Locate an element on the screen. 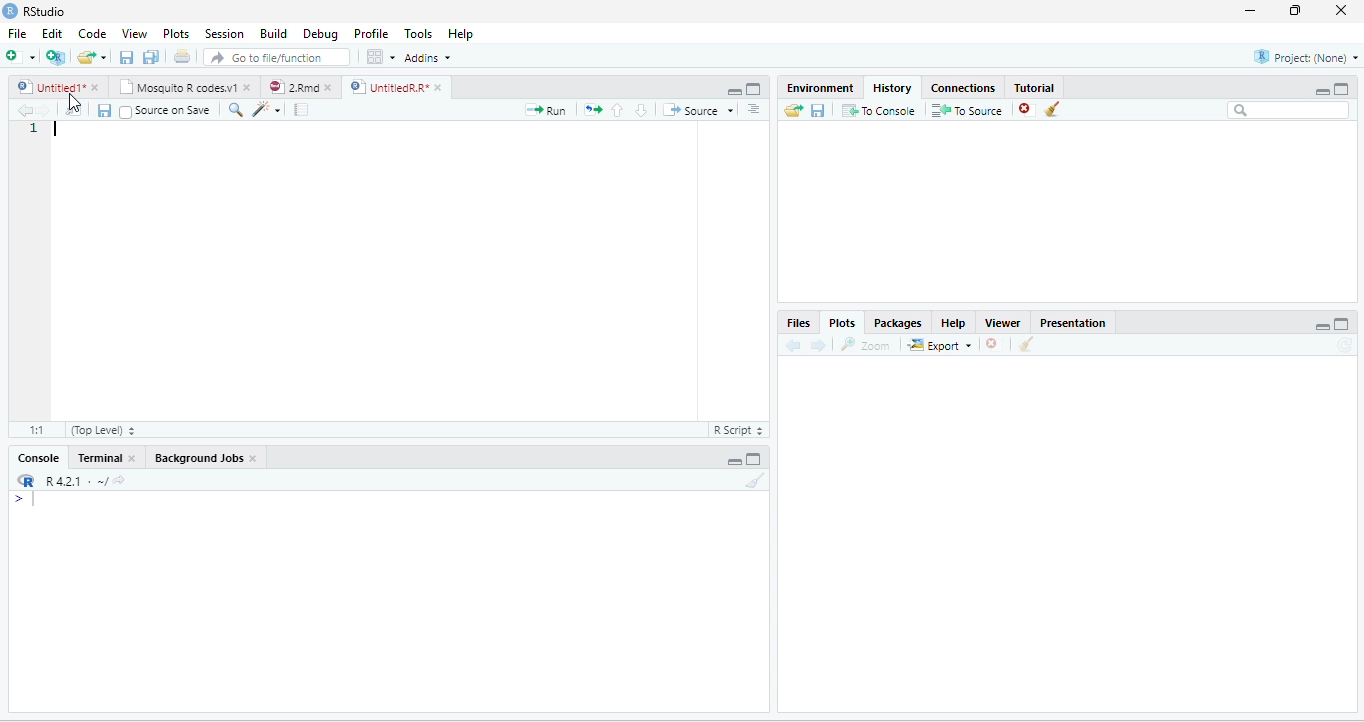 The width and height of the screenshot is (1364, 722). Create a project is located at coordinates (57, 55).